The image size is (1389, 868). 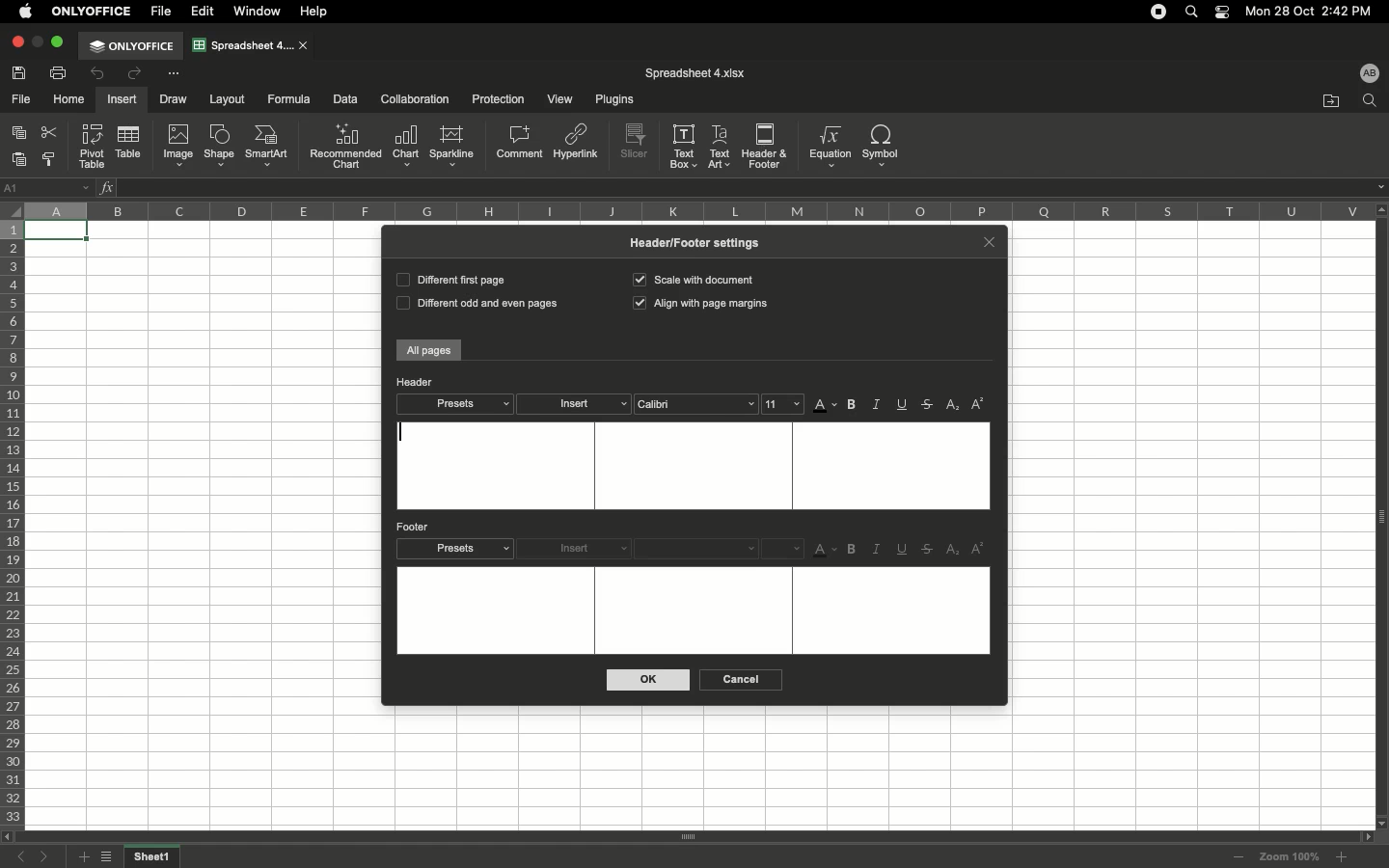 What do you see at coordinates (989, 240) in the screenshot?
I see `Close` at bounding box center [989, 240].